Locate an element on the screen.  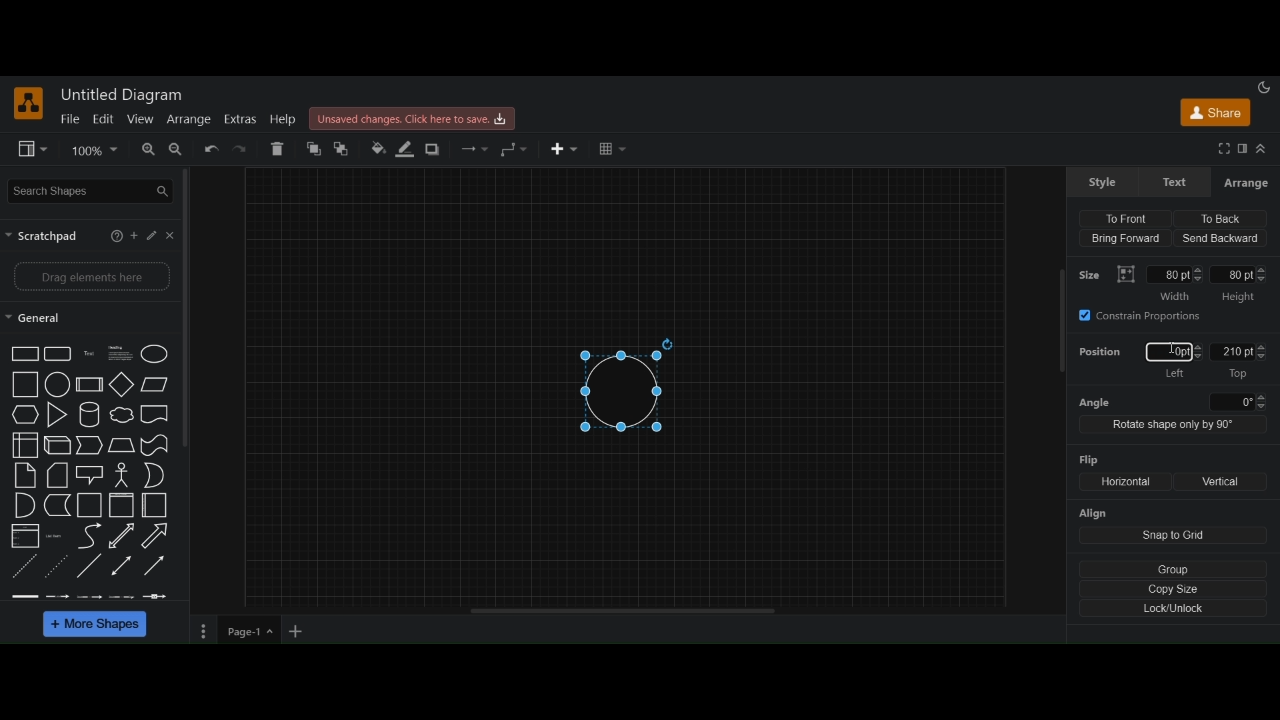
help is located at coordinates (283, 120).